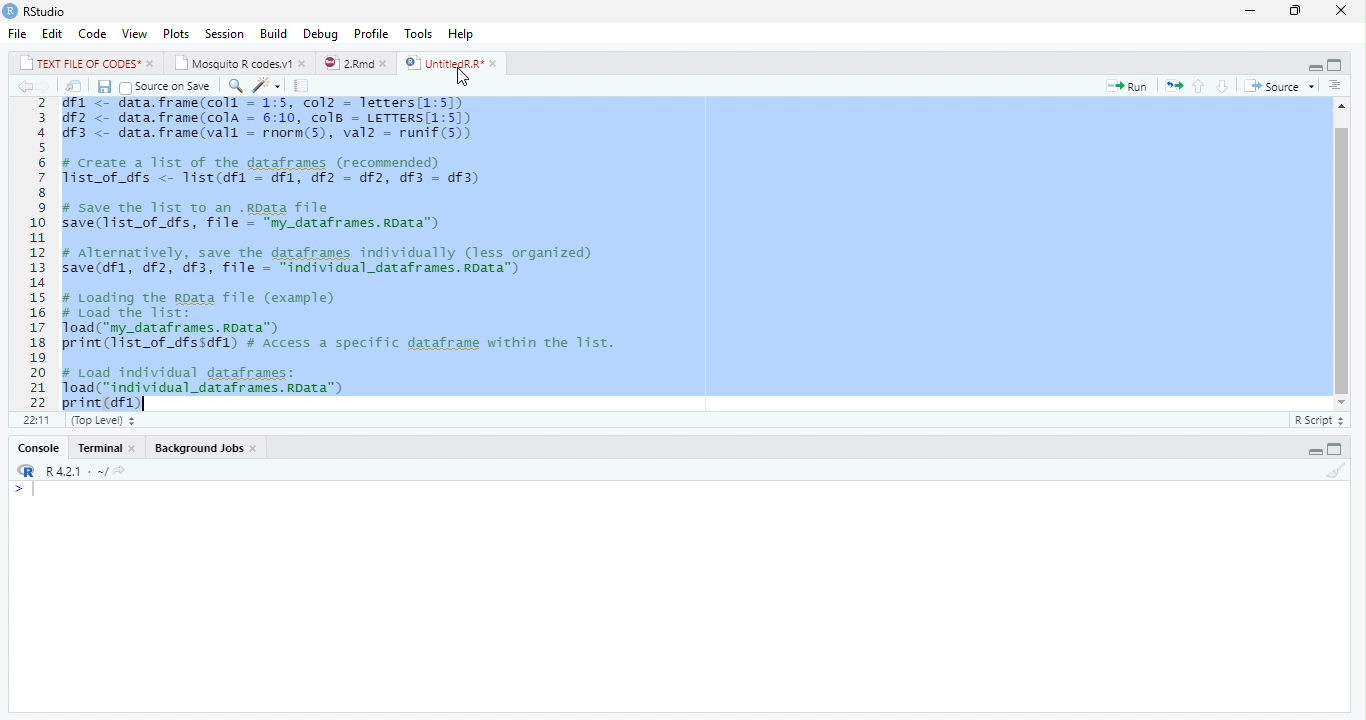 The height and width of the screenshot is (720, 1366). Describe the element at coordinates (421, 33) in the screenshot. I see `Tools` at that location.